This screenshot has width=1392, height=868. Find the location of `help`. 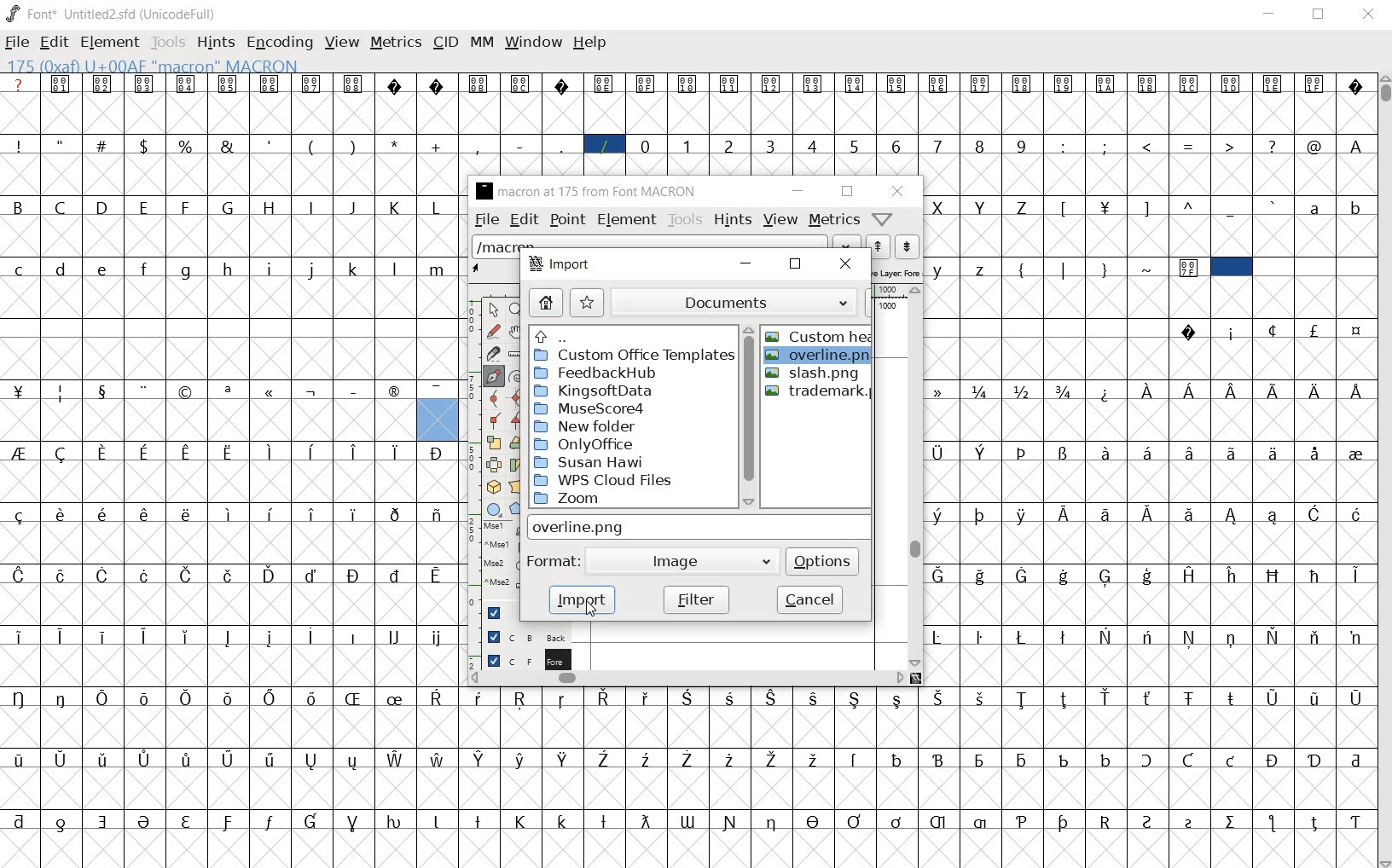

help is located at coordinates (883, 218).